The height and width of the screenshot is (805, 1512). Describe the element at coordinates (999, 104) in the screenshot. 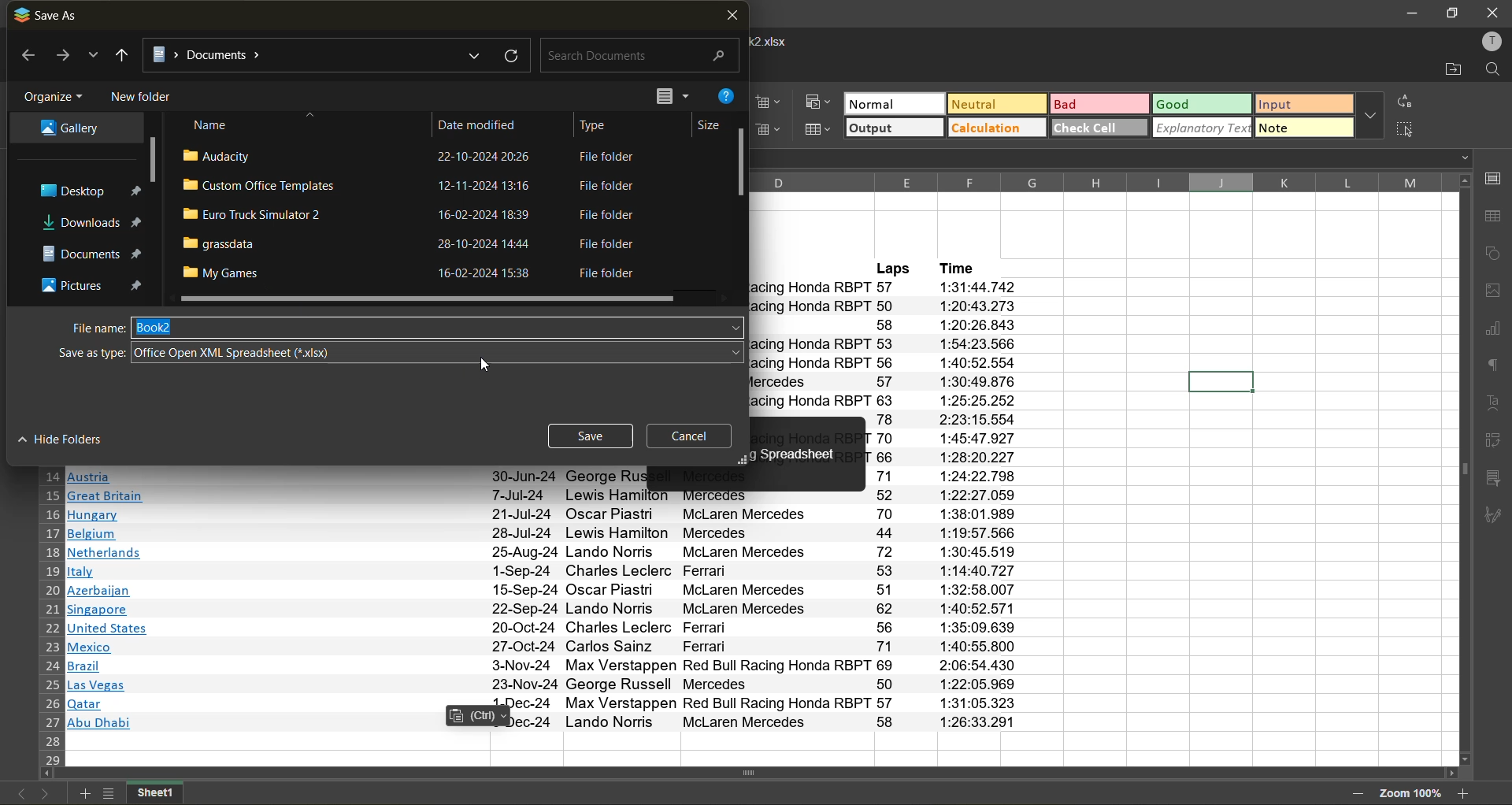

I see `neutral` at that location.